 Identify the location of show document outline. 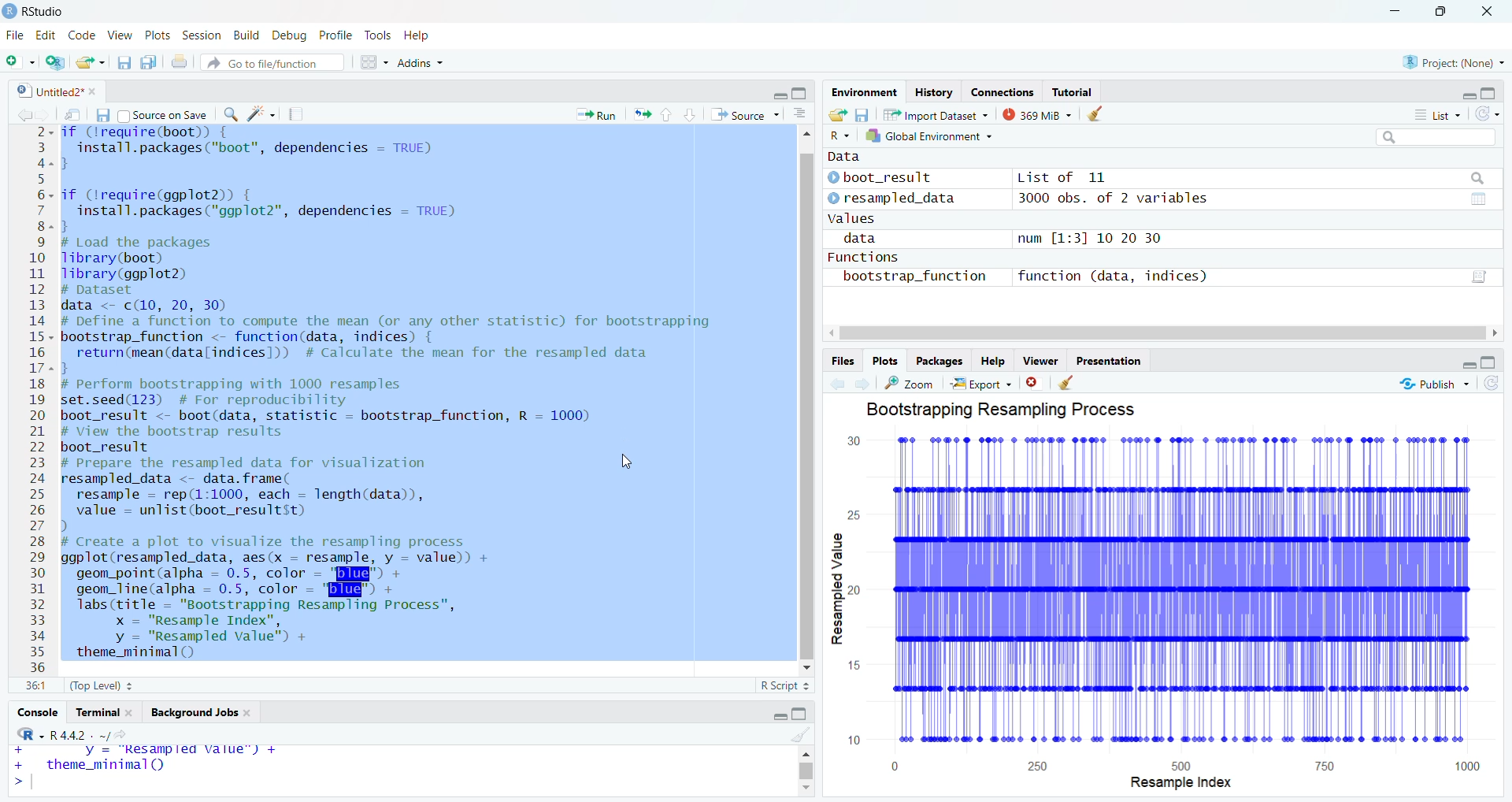
(805, 114).